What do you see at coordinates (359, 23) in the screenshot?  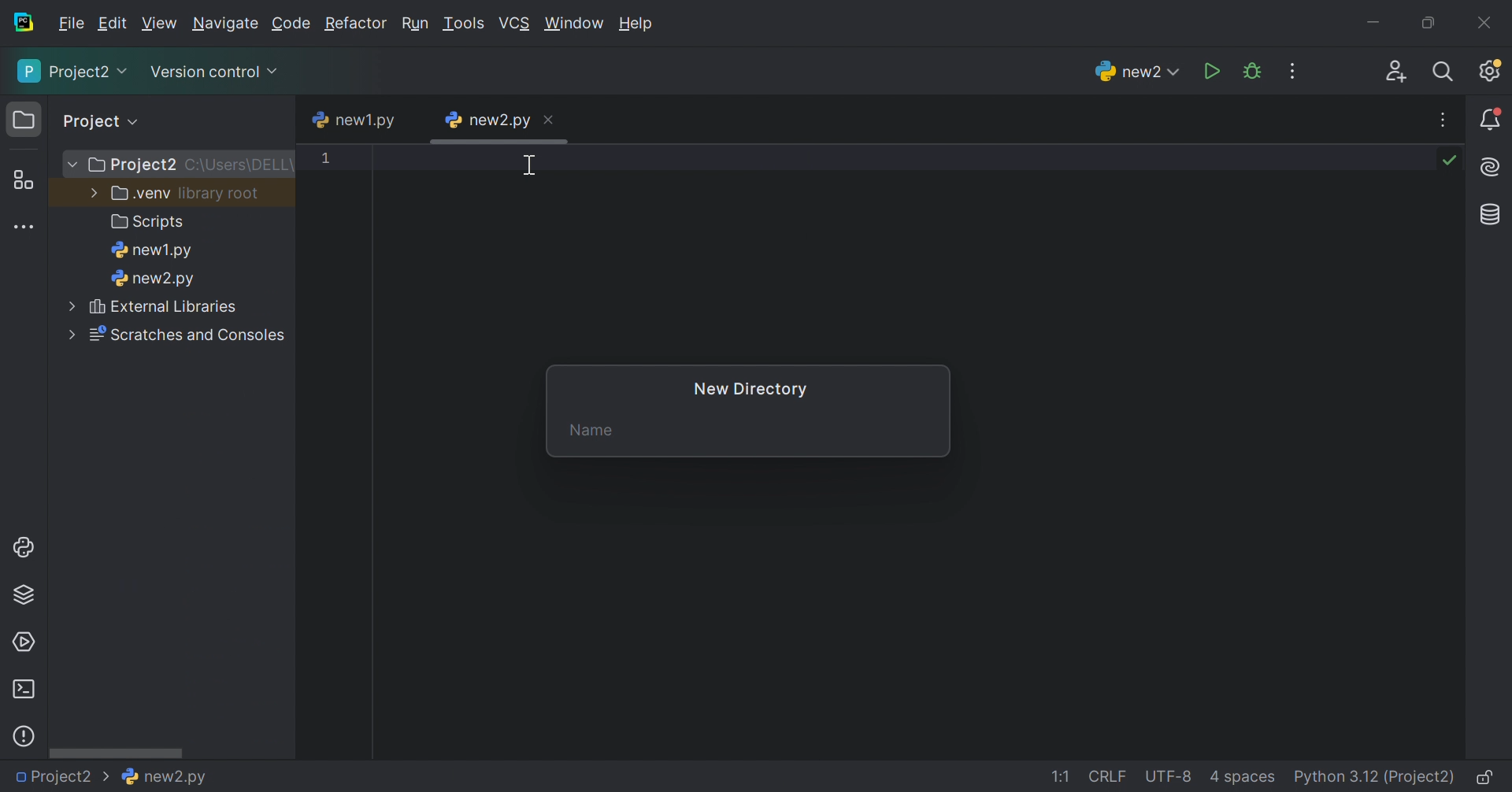 I see `Refactor` at bounding box center [359, 23].